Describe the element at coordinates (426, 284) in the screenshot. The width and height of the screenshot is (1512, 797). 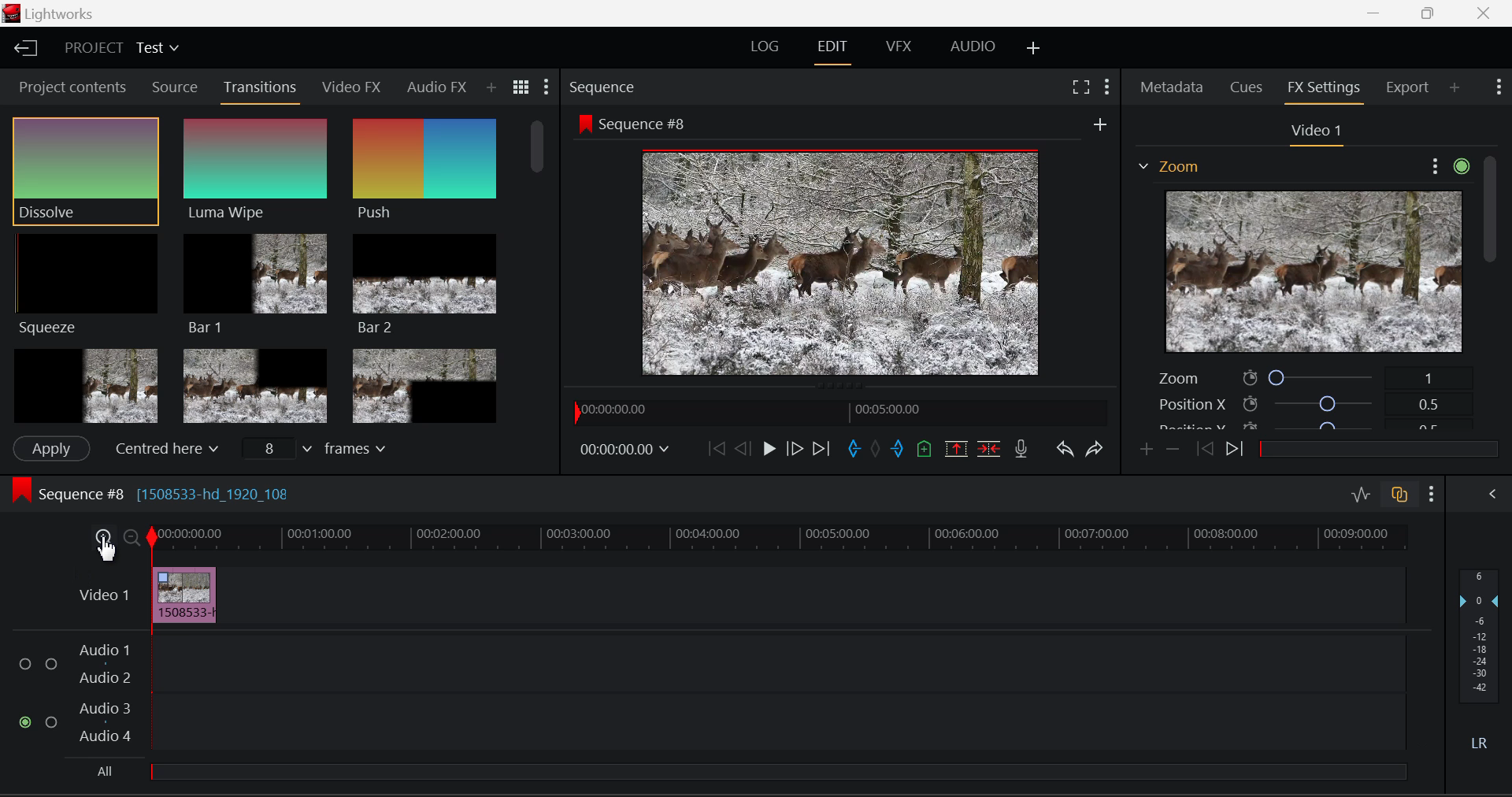
I see `Bar 2` at that location.